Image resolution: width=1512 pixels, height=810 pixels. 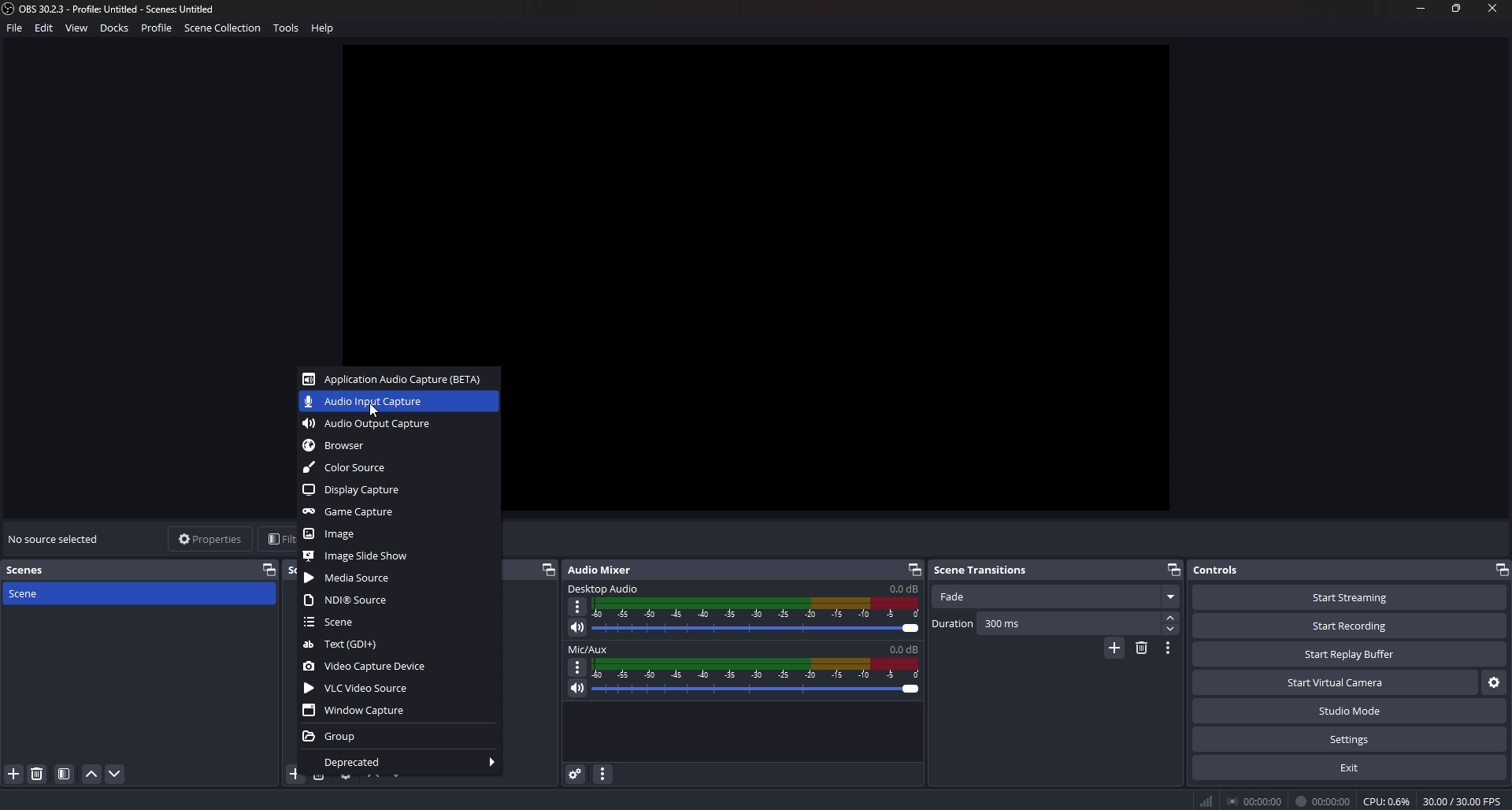 What do you see at coordinates (1384, 798) in the screenshot?
I see `0 CPU: 0.69` at bounding box center [1384, 798].